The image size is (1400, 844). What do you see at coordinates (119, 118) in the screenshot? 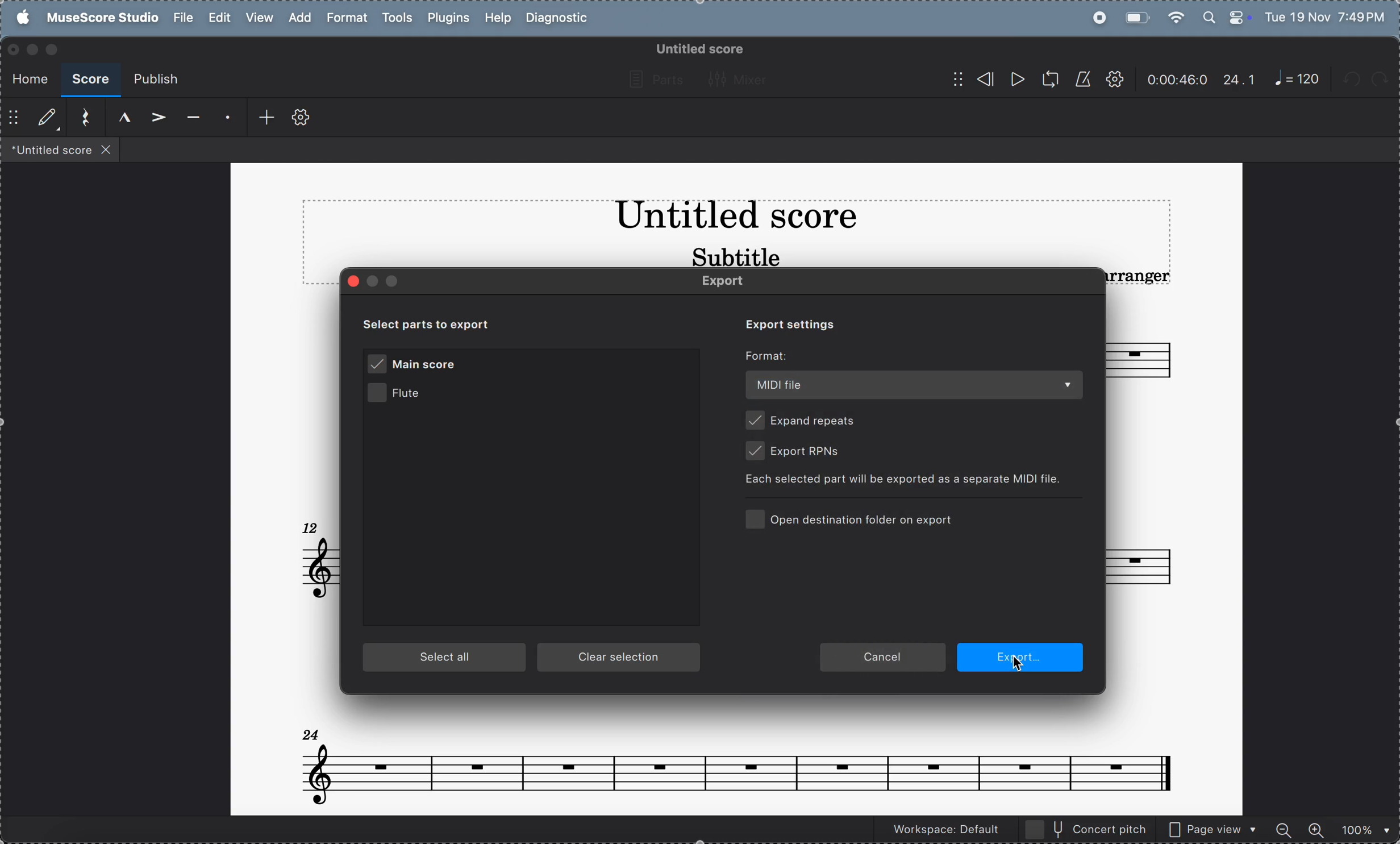
I see `marcato` at bounding box center [119, 118].